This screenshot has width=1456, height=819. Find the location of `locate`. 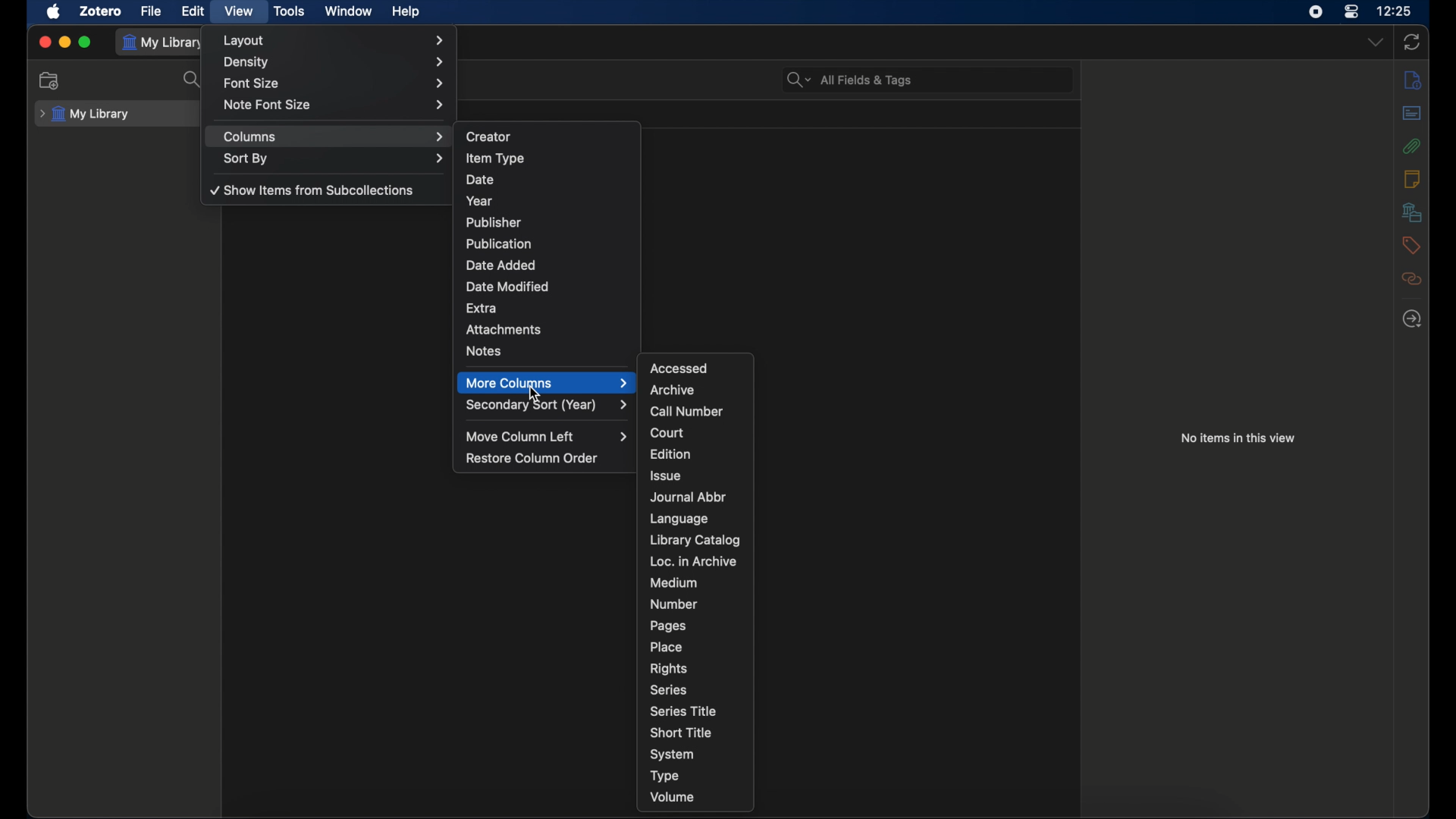

locate is located at coordinates (1412, 319).